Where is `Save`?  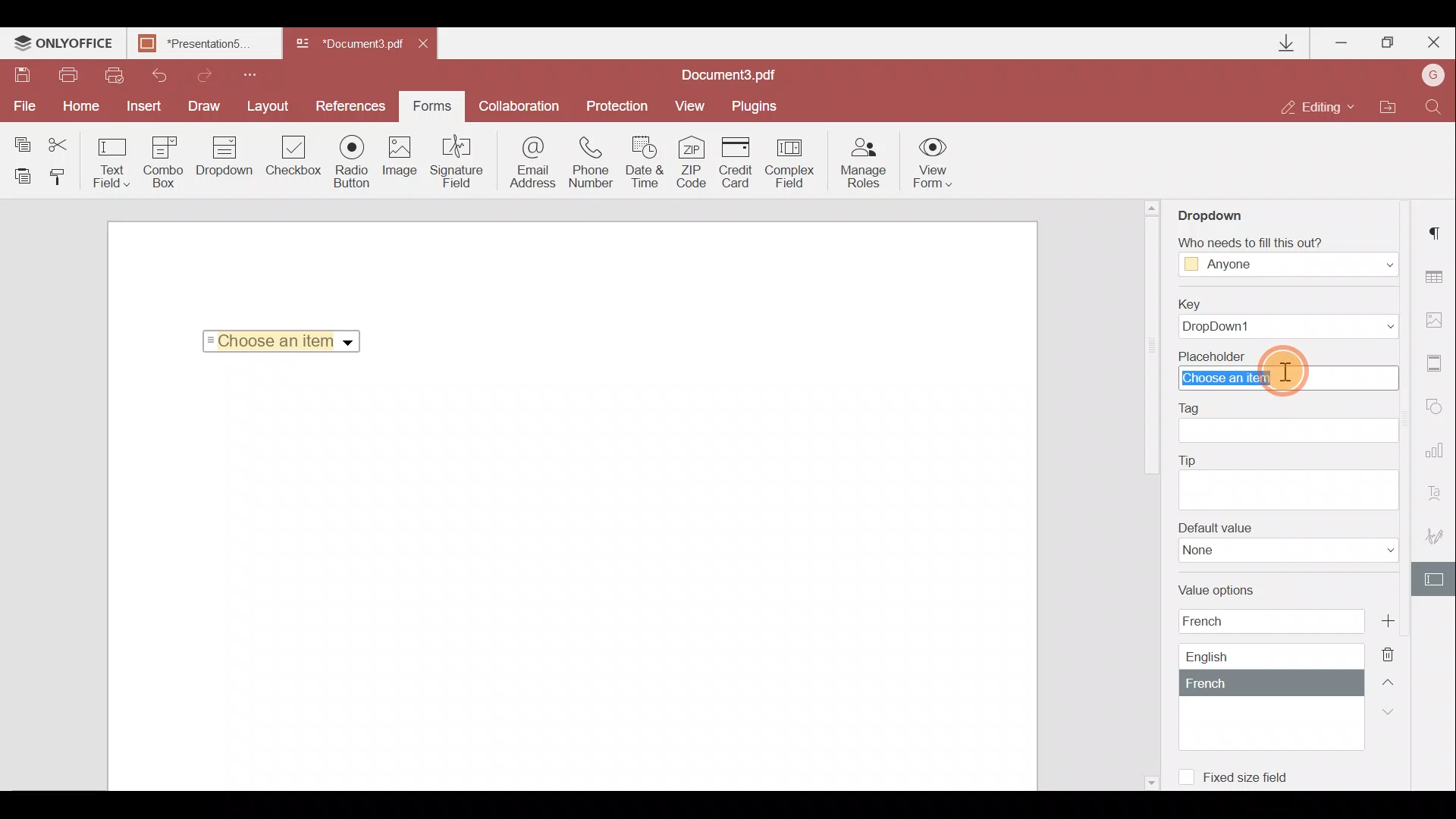
Save is located at coordinates (21, 77).